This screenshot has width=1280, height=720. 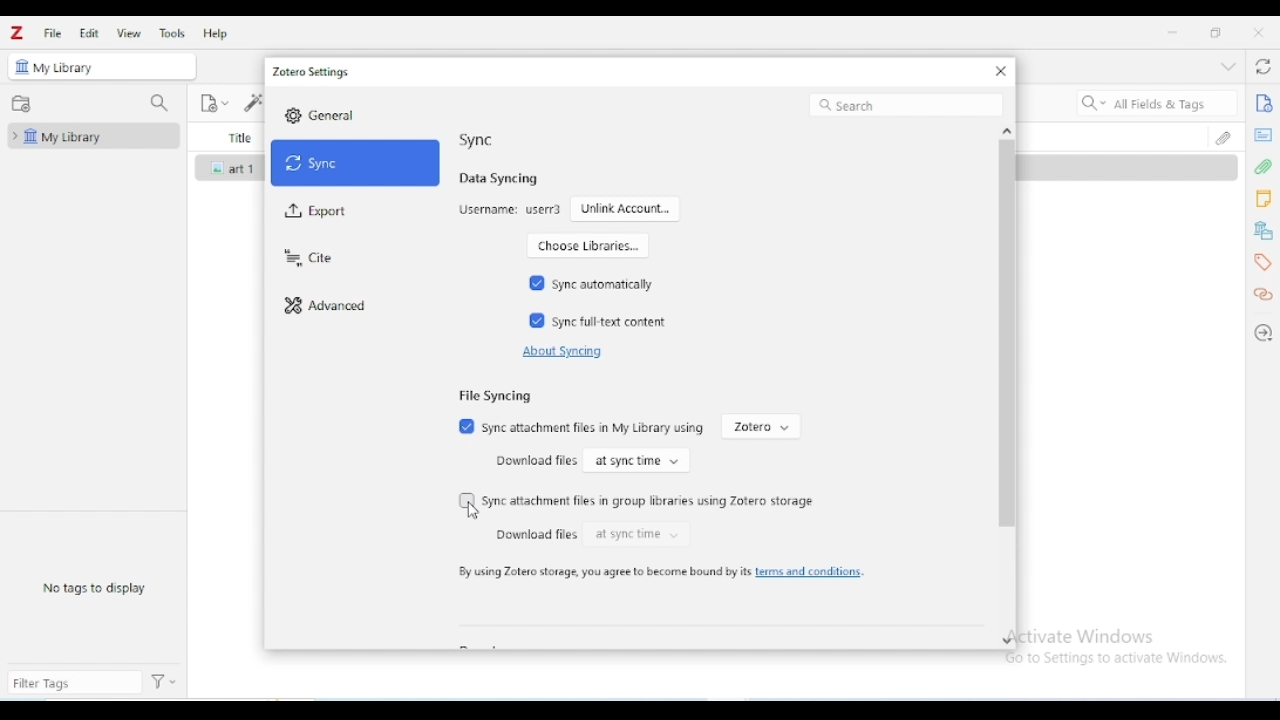 What do you see at coordinates (1264, 199) in the screenshot?
I see `notes` at bounding box center [1264, 199].